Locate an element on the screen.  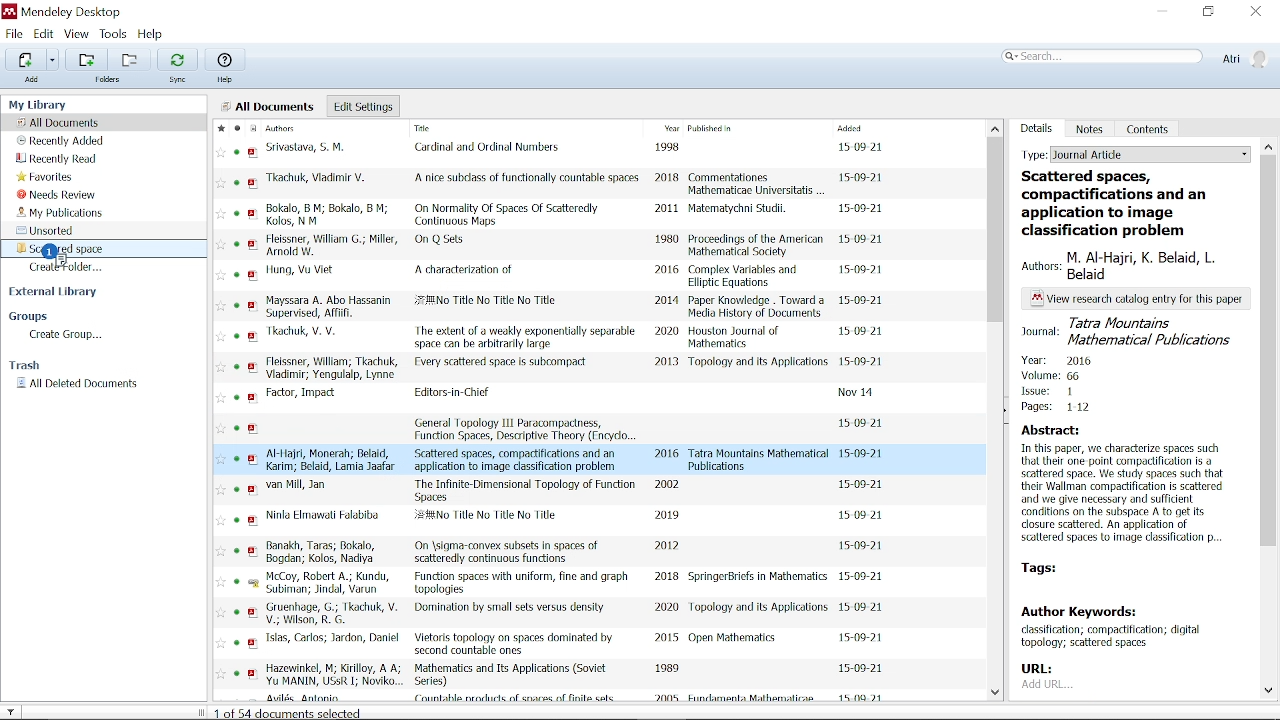
Mark as read / unread is located at coordinates (236, 128).